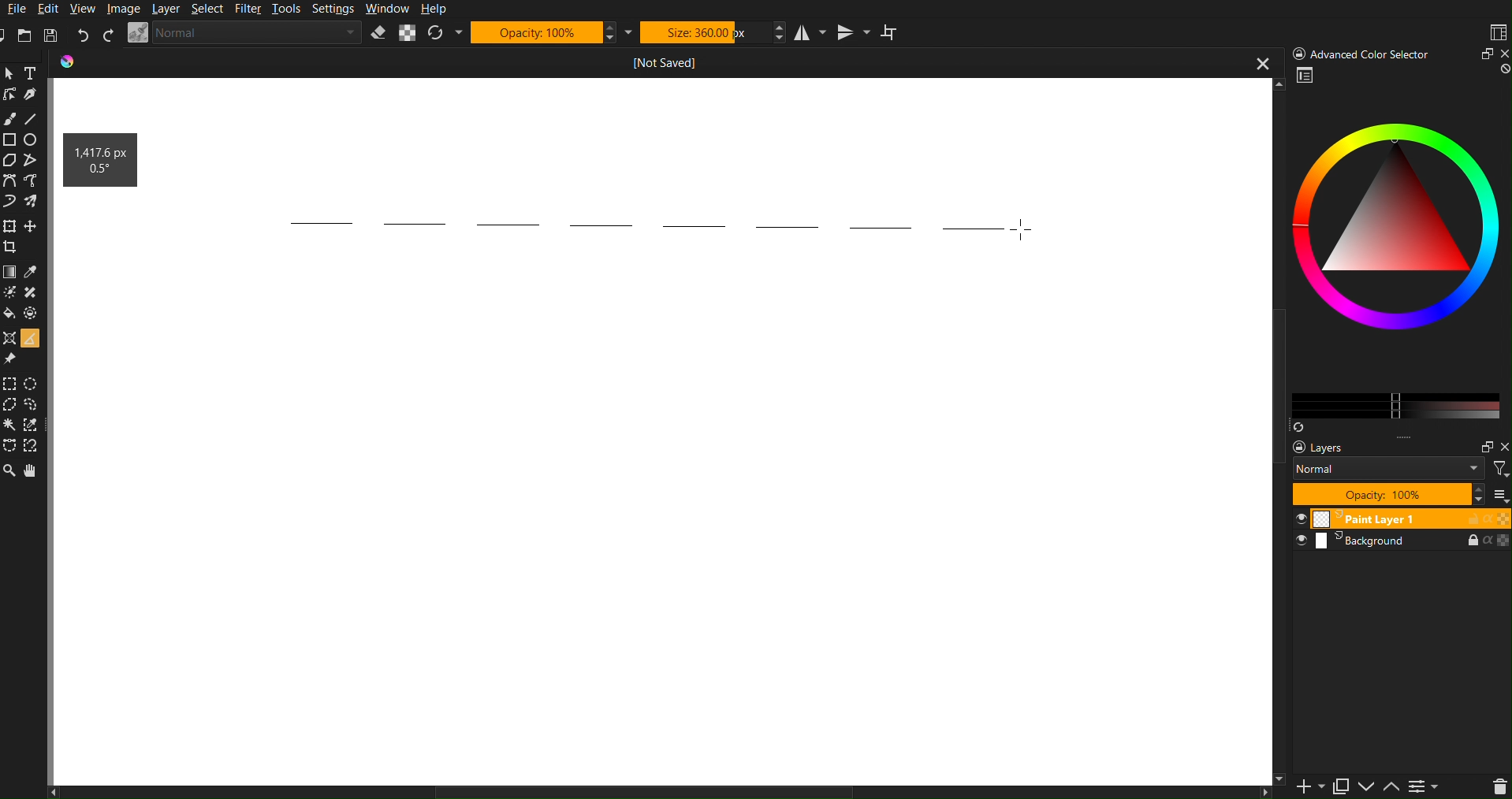  I want to click on Brush Settings, so click(245, 33).